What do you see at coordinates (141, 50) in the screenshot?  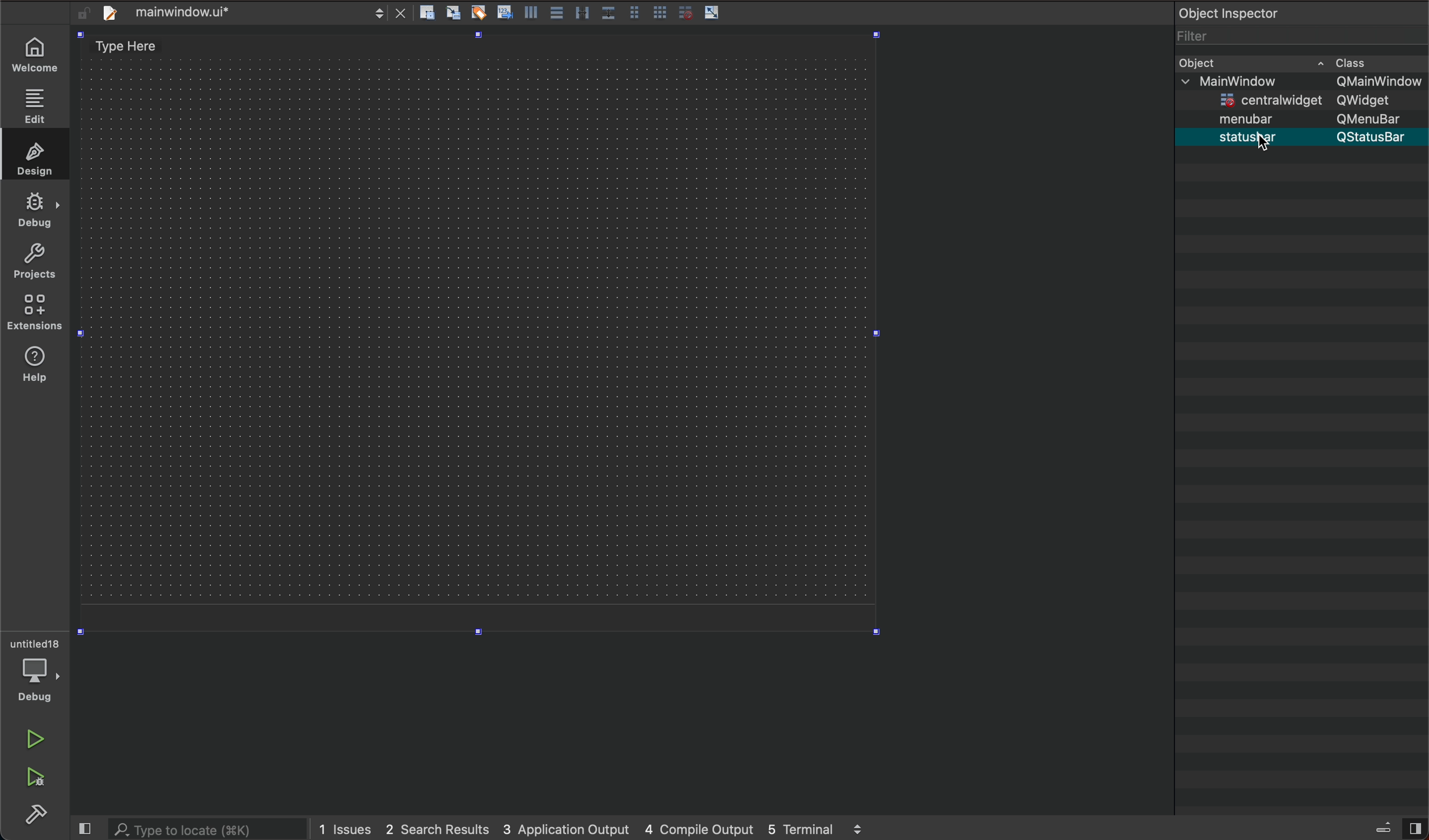 I see `type here` at bounding box center [141, 50].